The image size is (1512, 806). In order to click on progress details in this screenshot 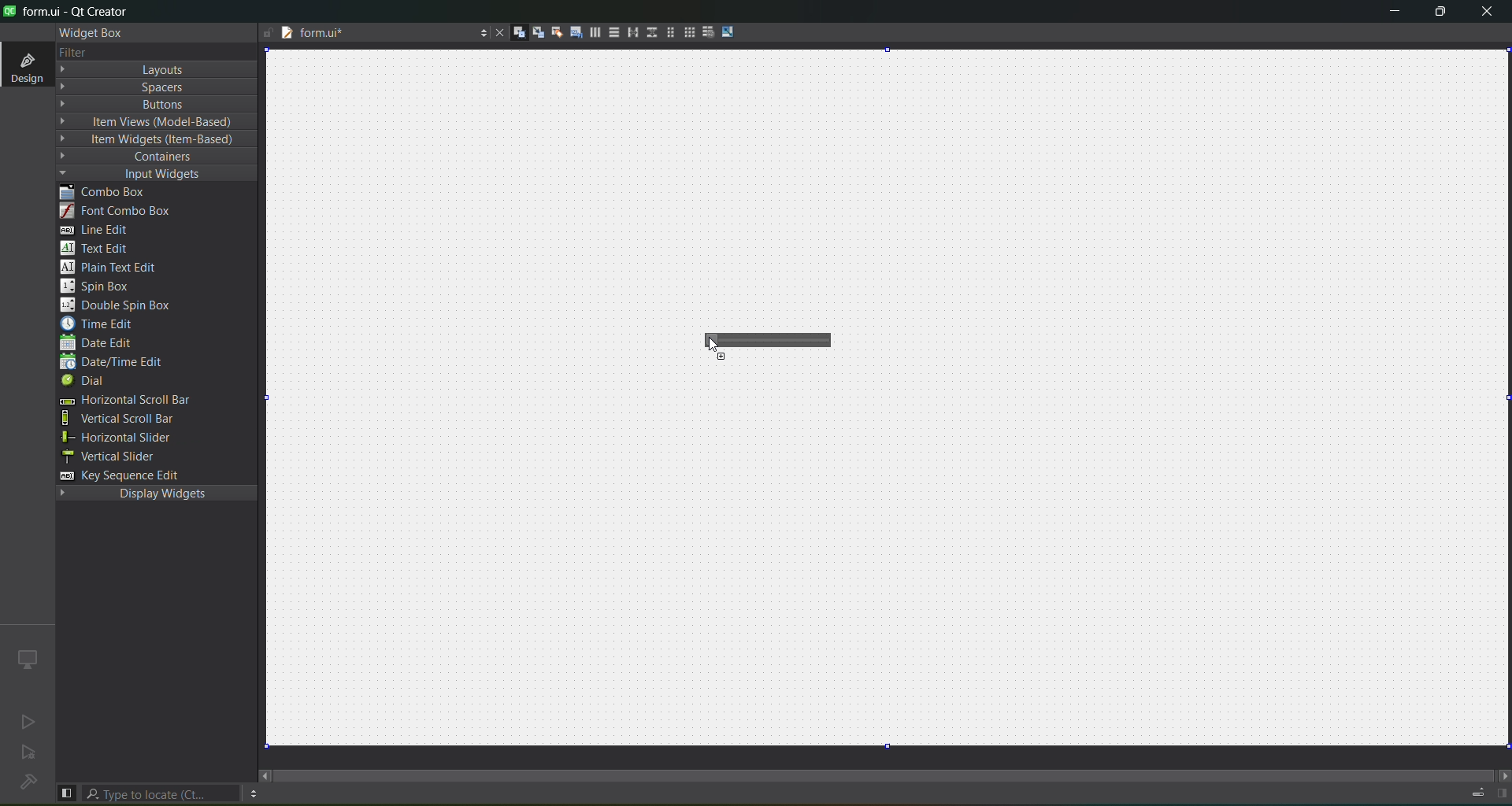, I will do `click(1477, 792)`.